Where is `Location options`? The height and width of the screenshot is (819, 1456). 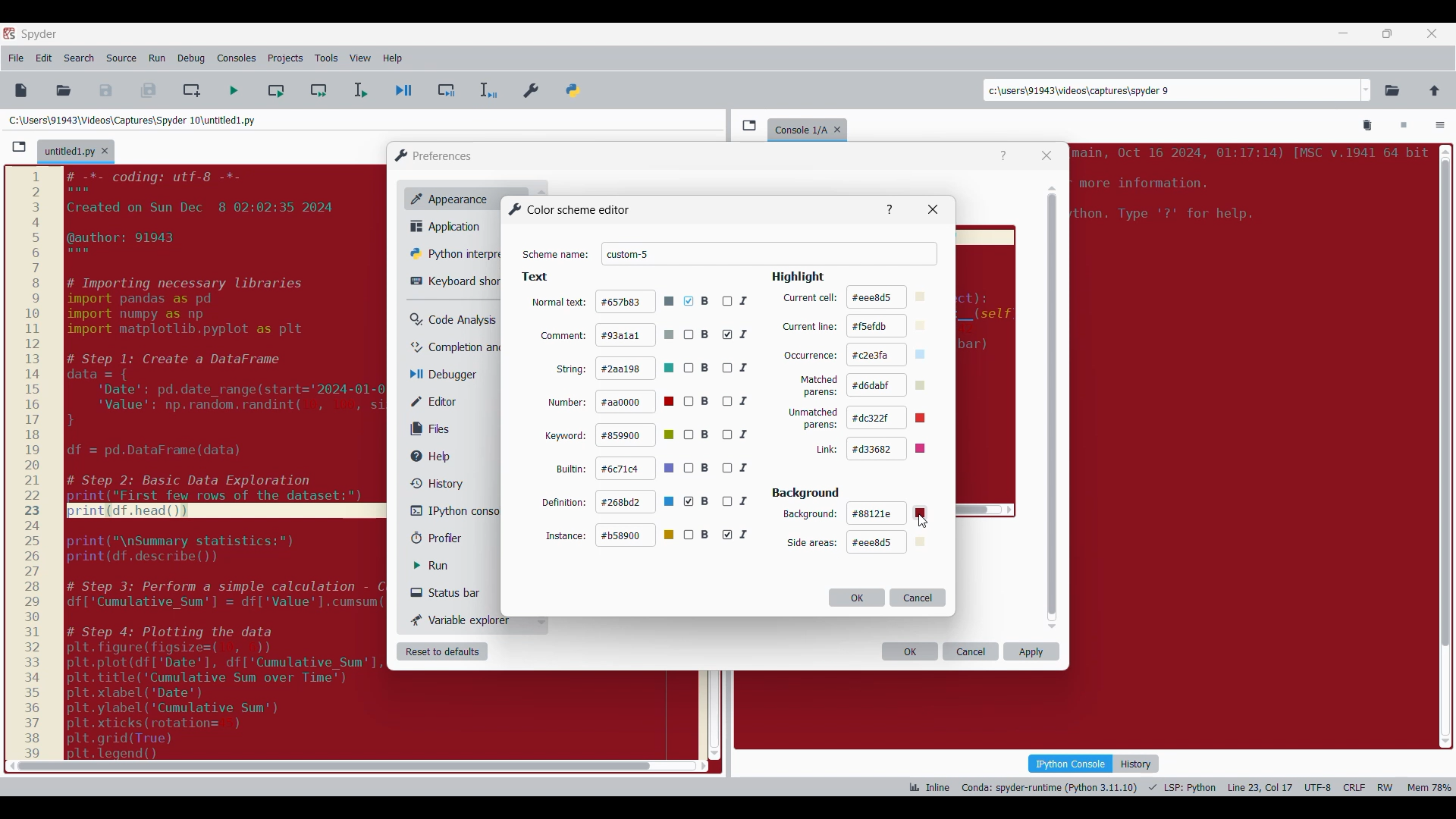
Location options is located at coordinates (1367, 90).